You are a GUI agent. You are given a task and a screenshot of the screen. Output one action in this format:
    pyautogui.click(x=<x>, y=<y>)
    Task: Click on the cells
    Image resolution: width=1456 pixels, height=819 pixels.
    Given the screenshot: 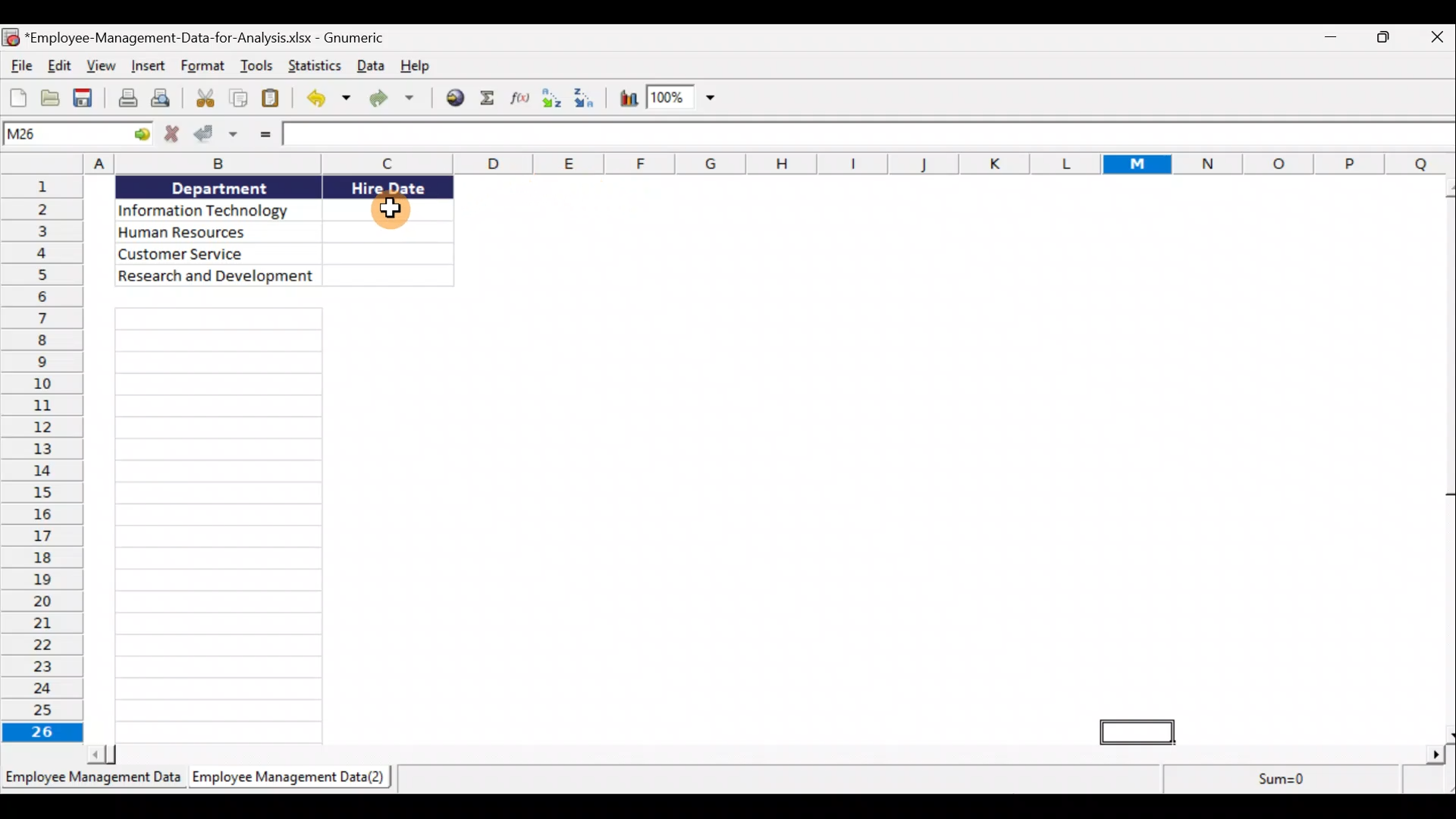 What is the action you would take?
    pyautogui.click(x=215, y=526)
    